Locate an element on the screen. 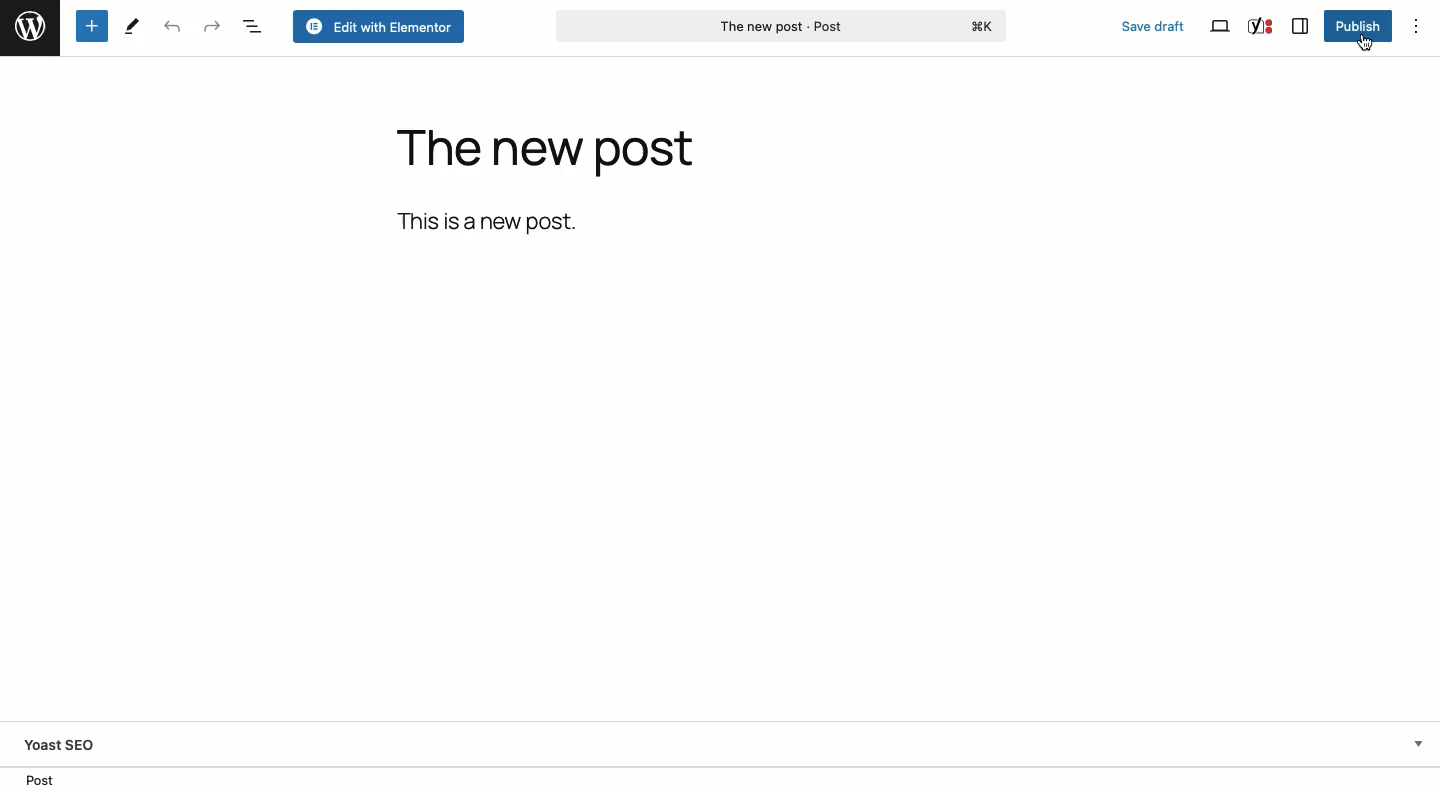 This screenshot has width=1440, height=792. Sidebar is located at coordinates (1300, 26).